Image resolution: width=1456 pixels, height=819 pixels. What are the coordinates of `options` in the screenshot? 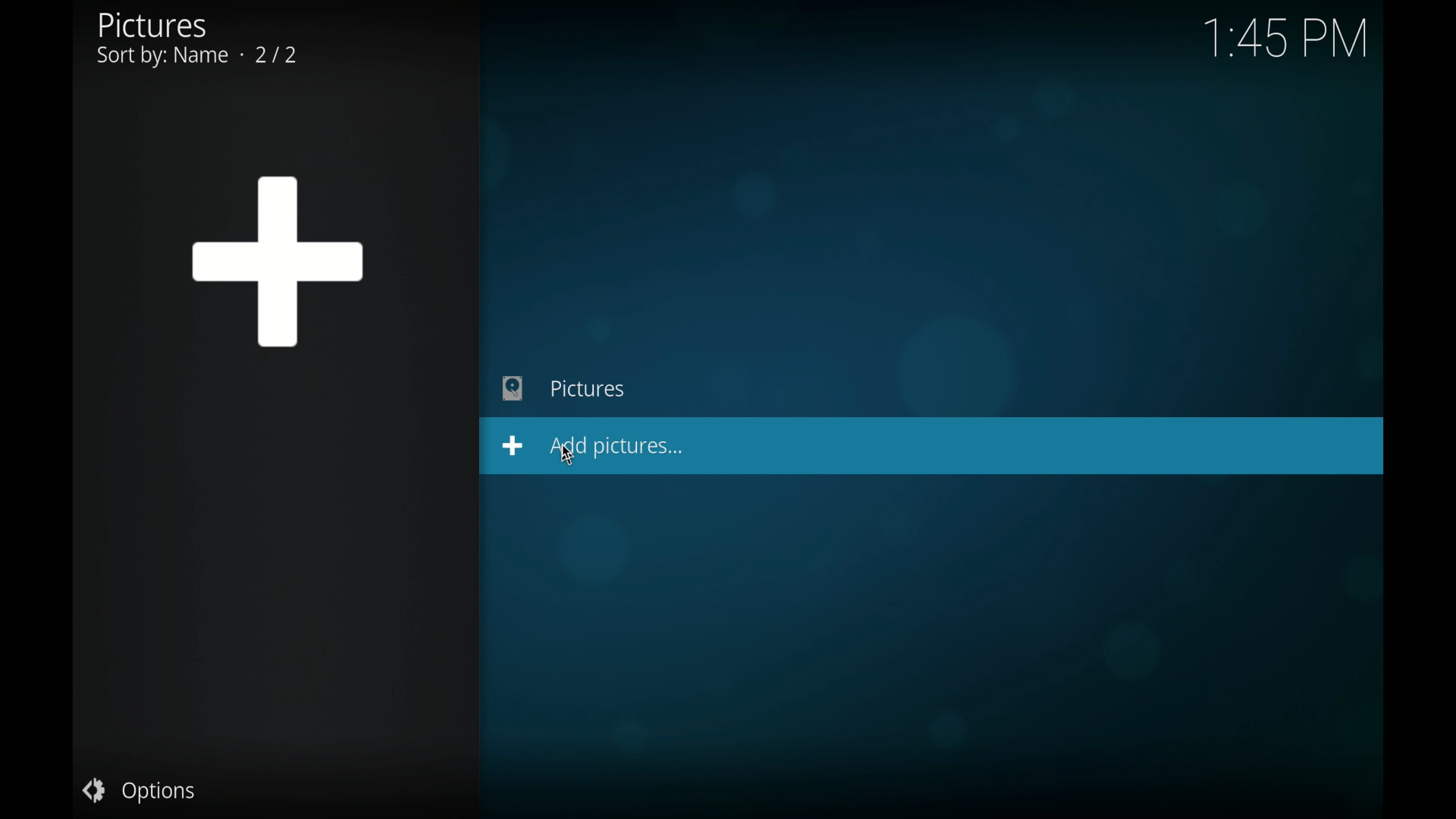 It's located at (140, 790).